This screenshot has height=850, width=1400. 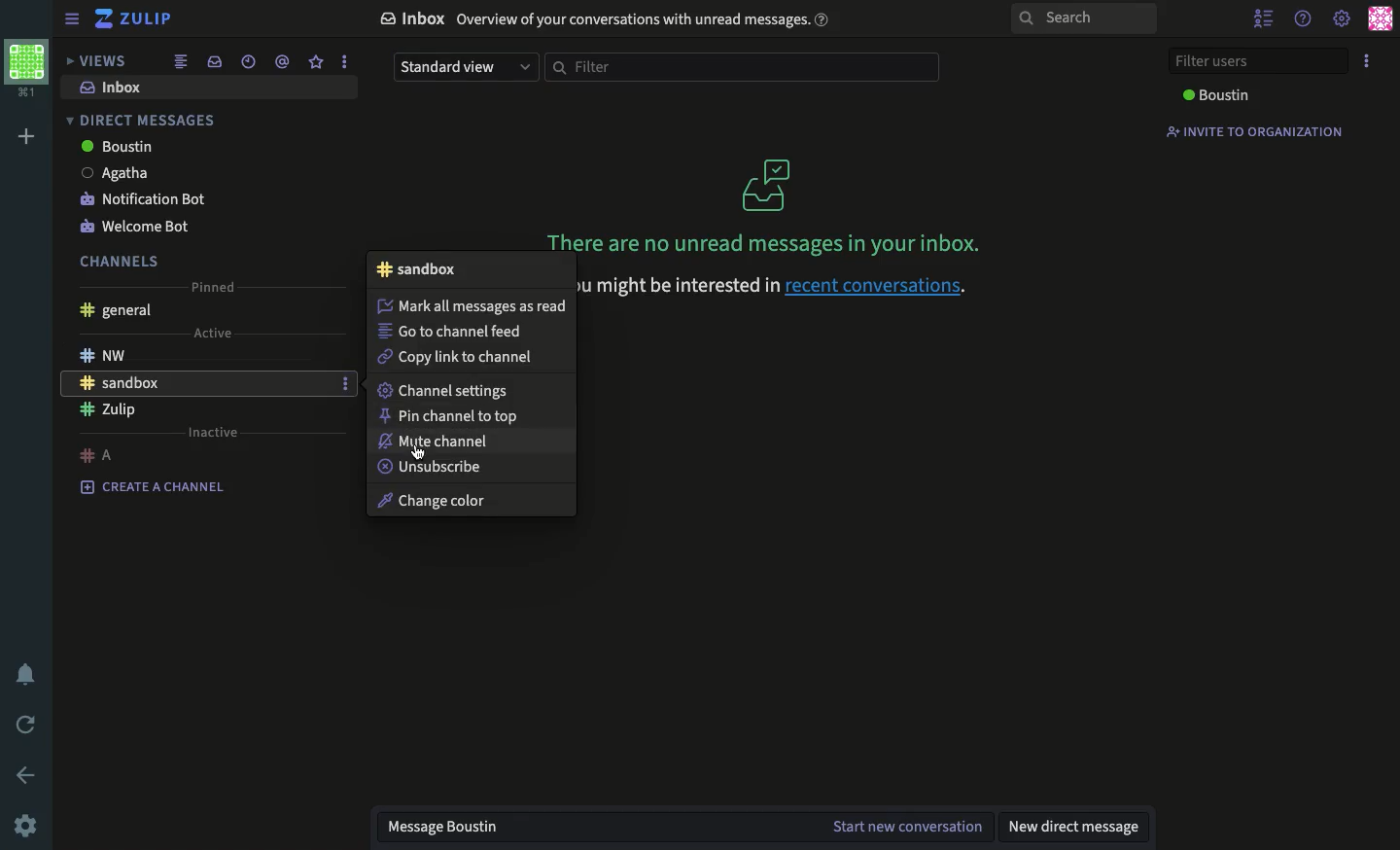 I want to click on pinned, so click(x=215, y=287).